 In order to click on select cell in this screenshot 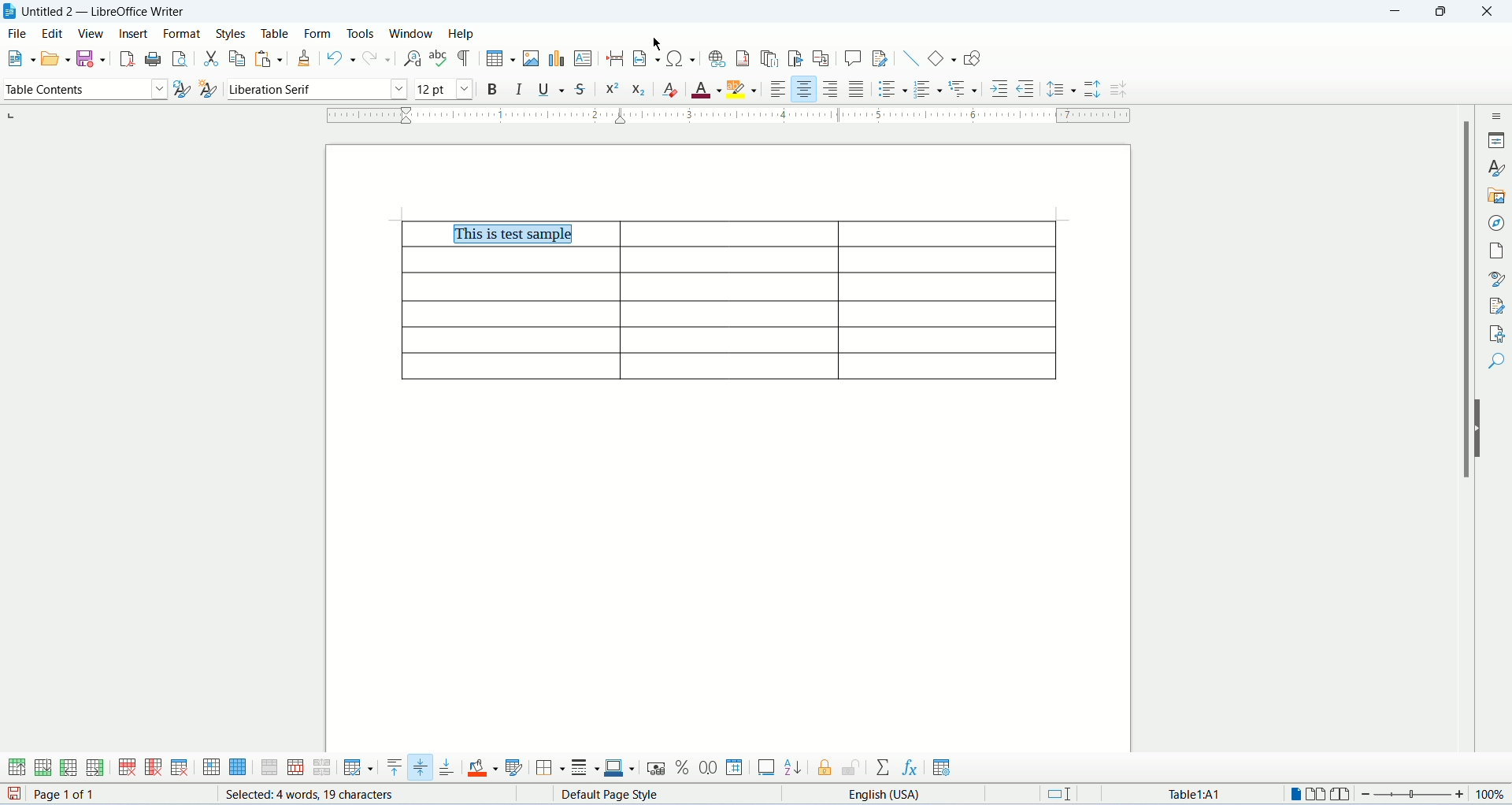, I will do `click(211, 769)`.